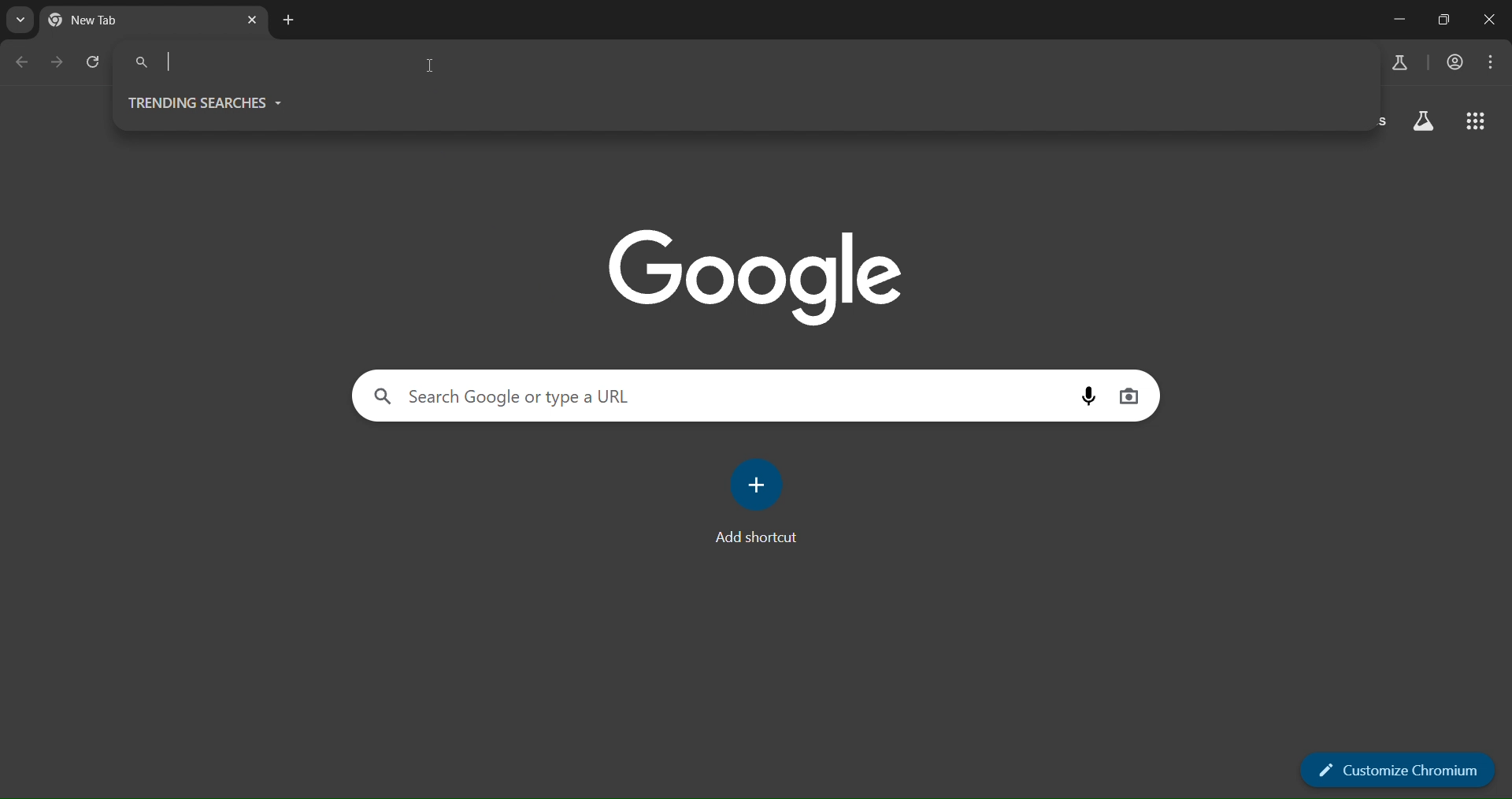 Image resolution: width=1512 pixels, height=799 pixels. Describe the element at coordinates (568, 393) in the screenshot. I see `search panel` at that location.